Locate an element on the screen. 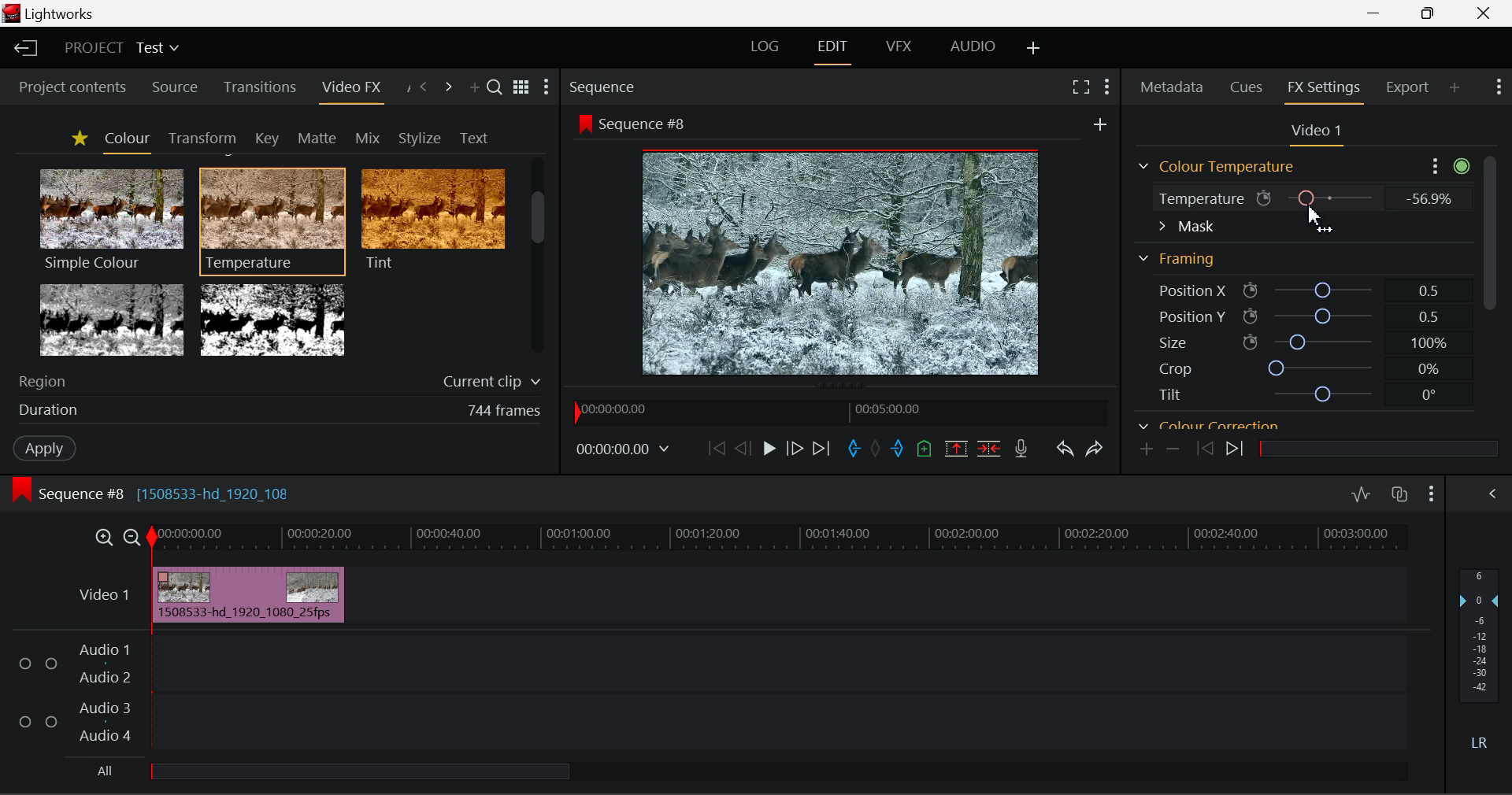 The width and height of the screenshot is (1512, 795). VFX Layout is located at coordinates (897, 48).